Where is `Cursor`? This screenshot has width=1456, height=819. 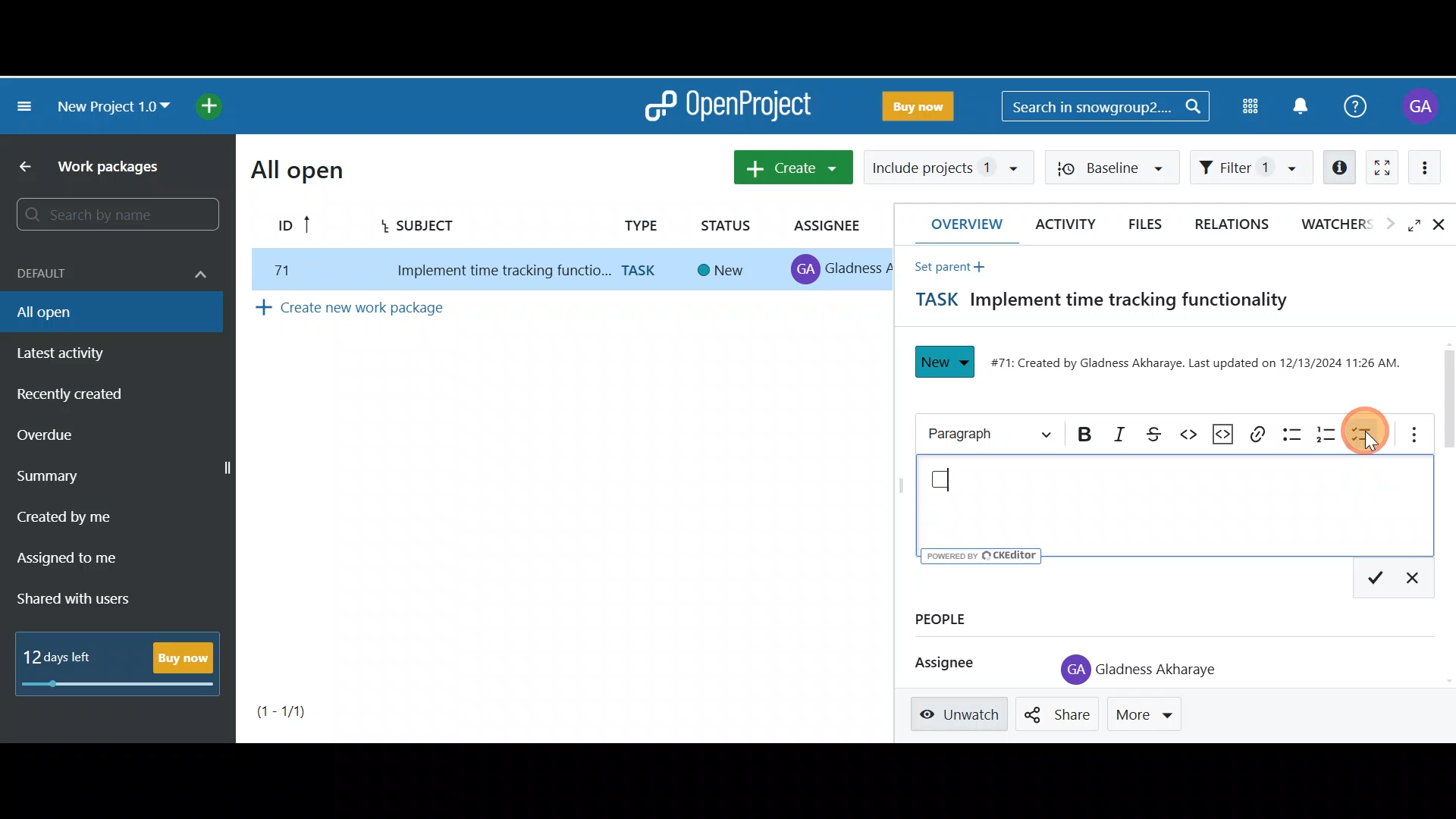
Cursor is located at coordinates (1366, 441).